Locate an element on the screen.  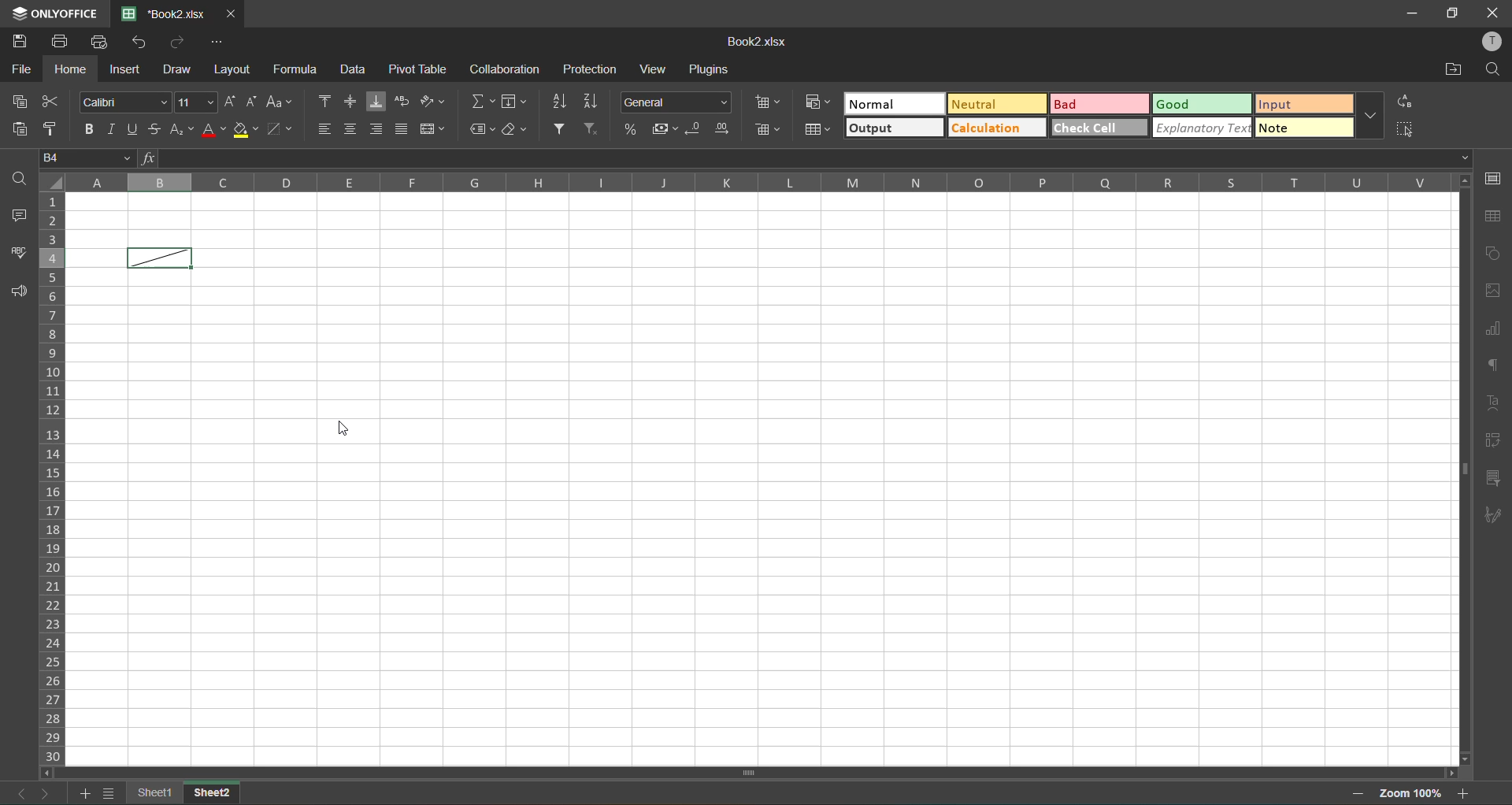
open location is located at coordinates (1452, 70).